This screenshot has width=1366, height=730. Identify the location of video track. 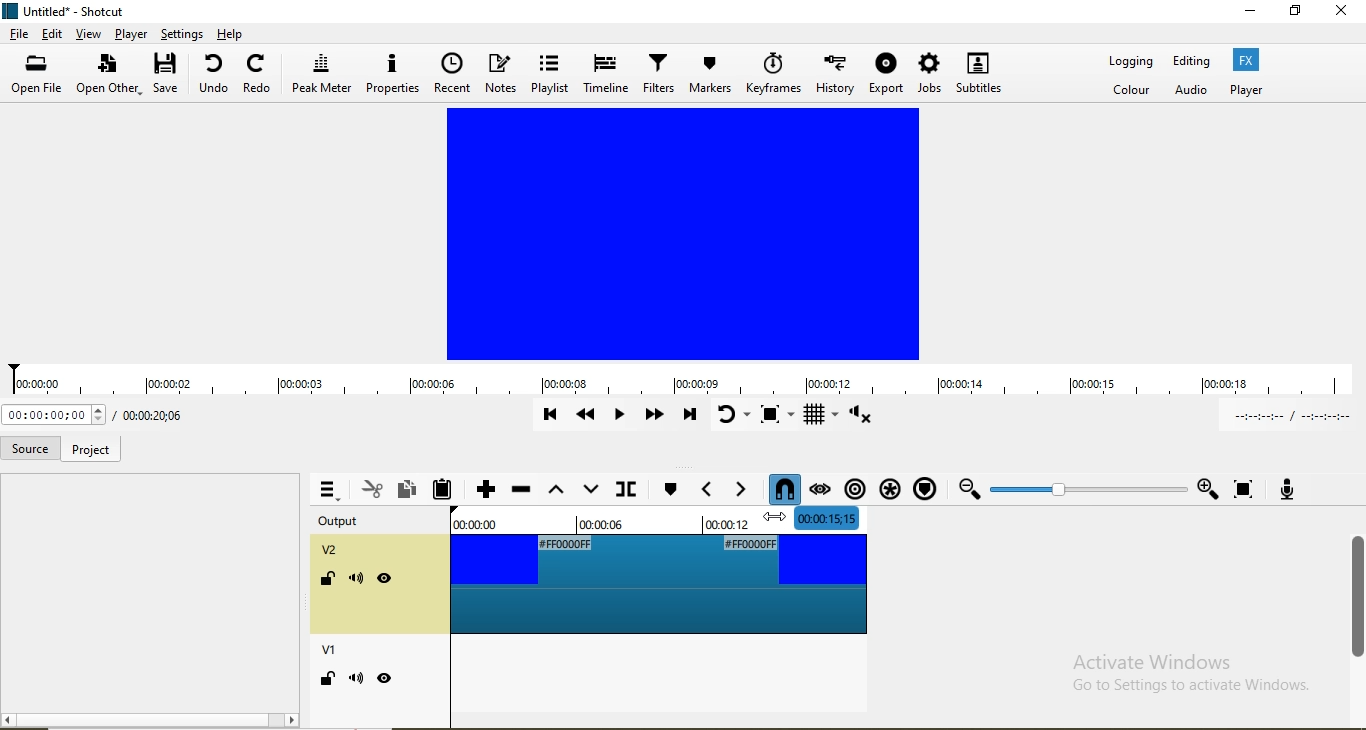
(657, 584).